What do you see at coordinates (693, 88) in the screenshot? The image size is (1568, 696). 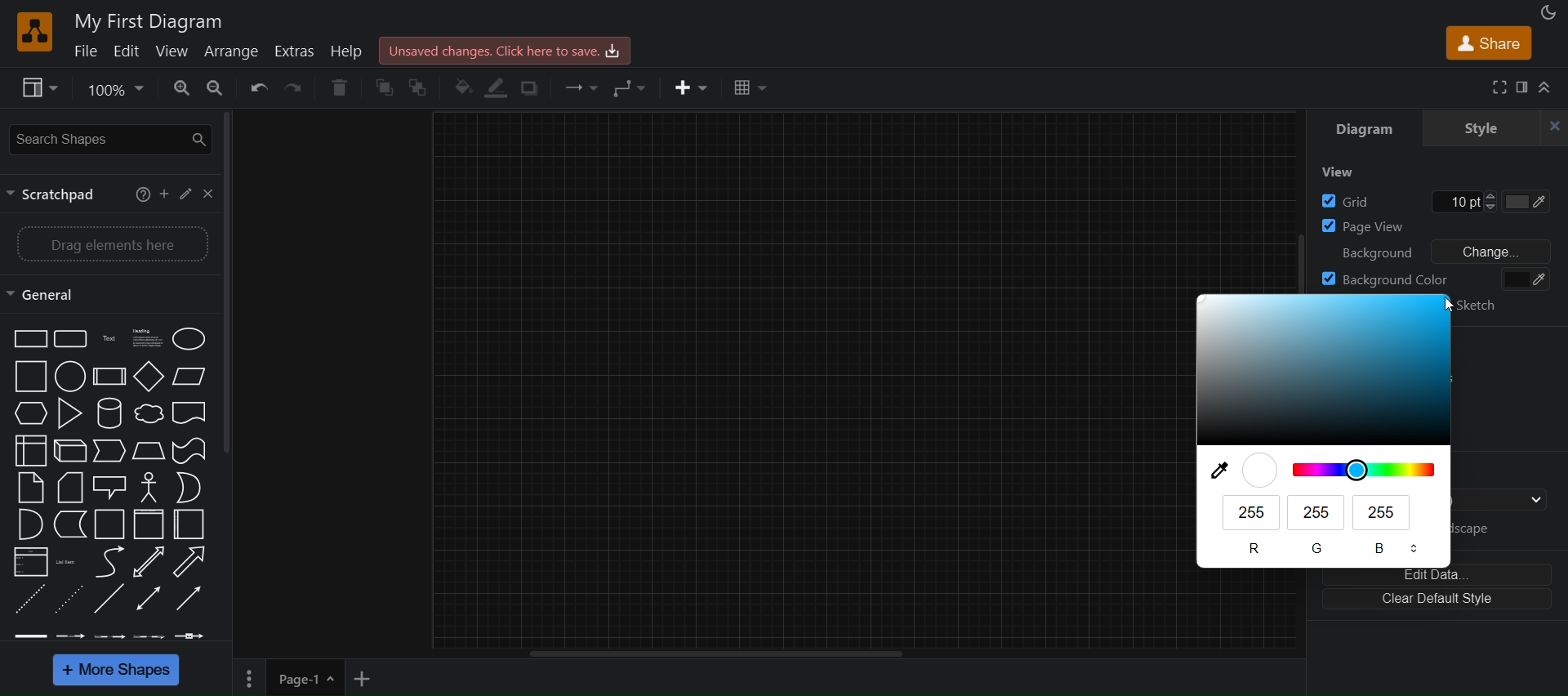 I see `inser` at bounding box center [693, 88].